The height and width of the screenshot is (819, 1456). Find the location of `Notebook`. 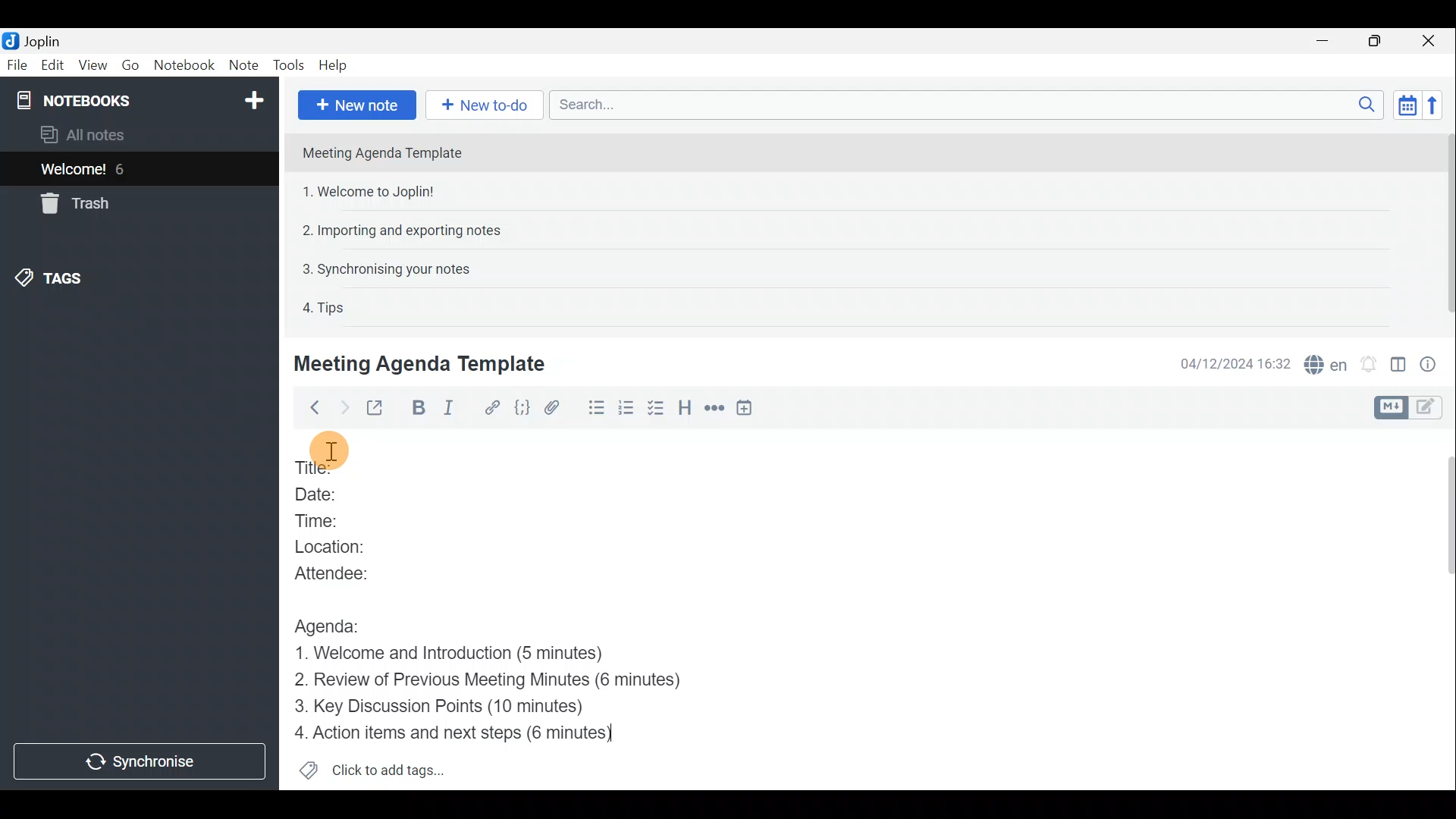

Notebook is located at coordinates (184, 64).